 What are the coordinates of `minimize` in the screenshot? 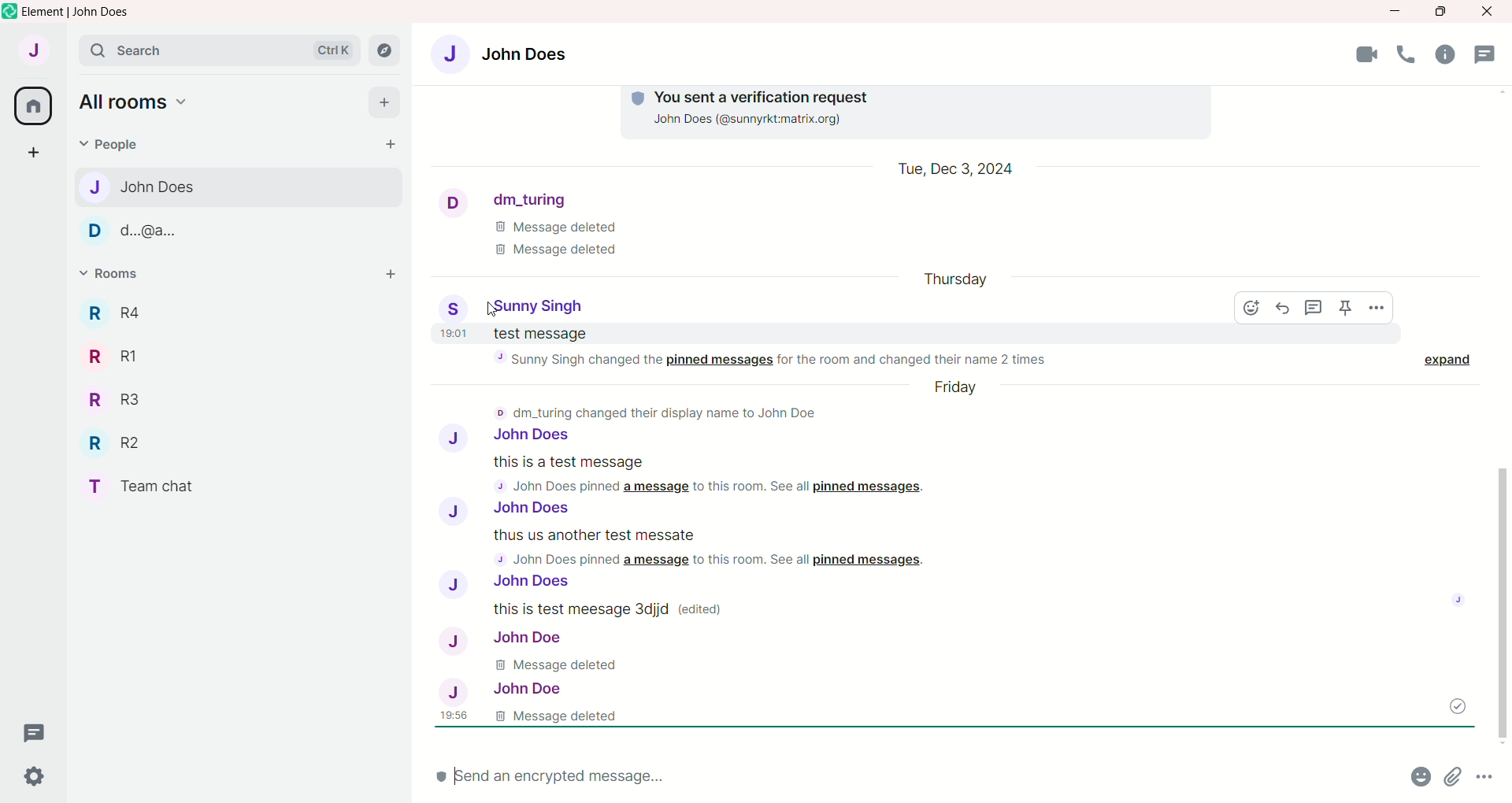 It's located at (1395, 9).